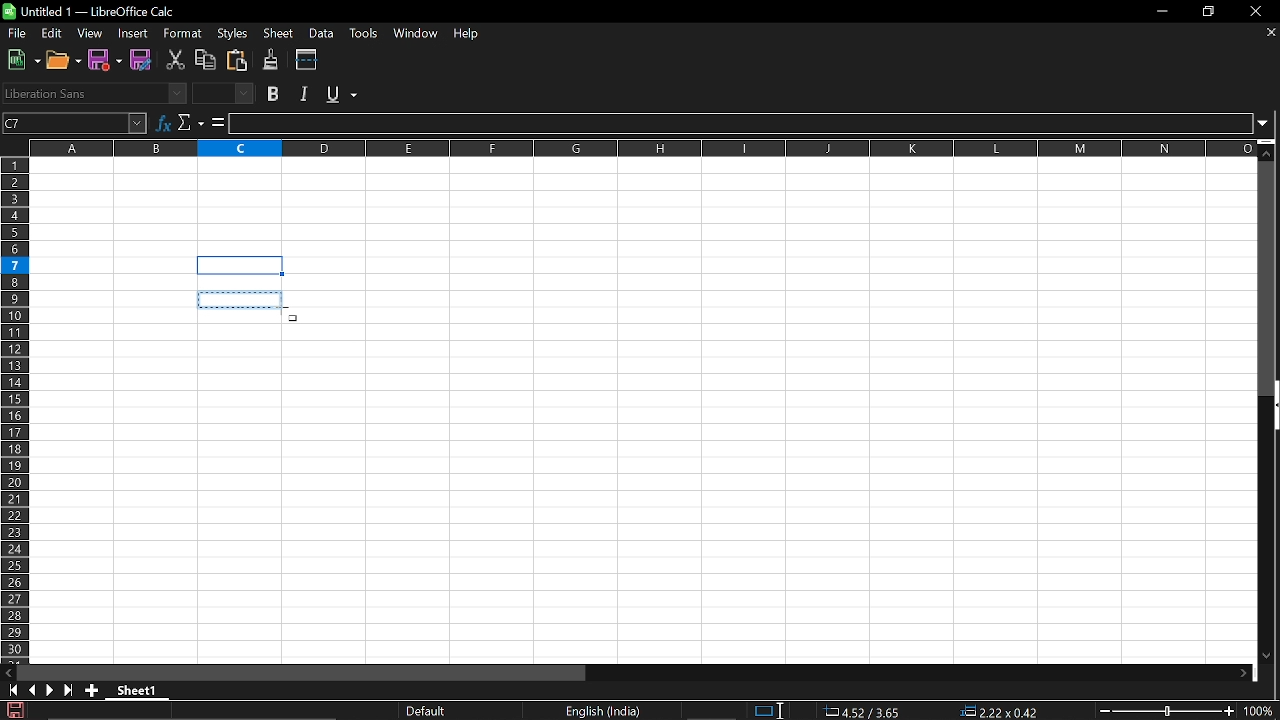  I want to click on Horizontal scrollbar, so click(302, 672).